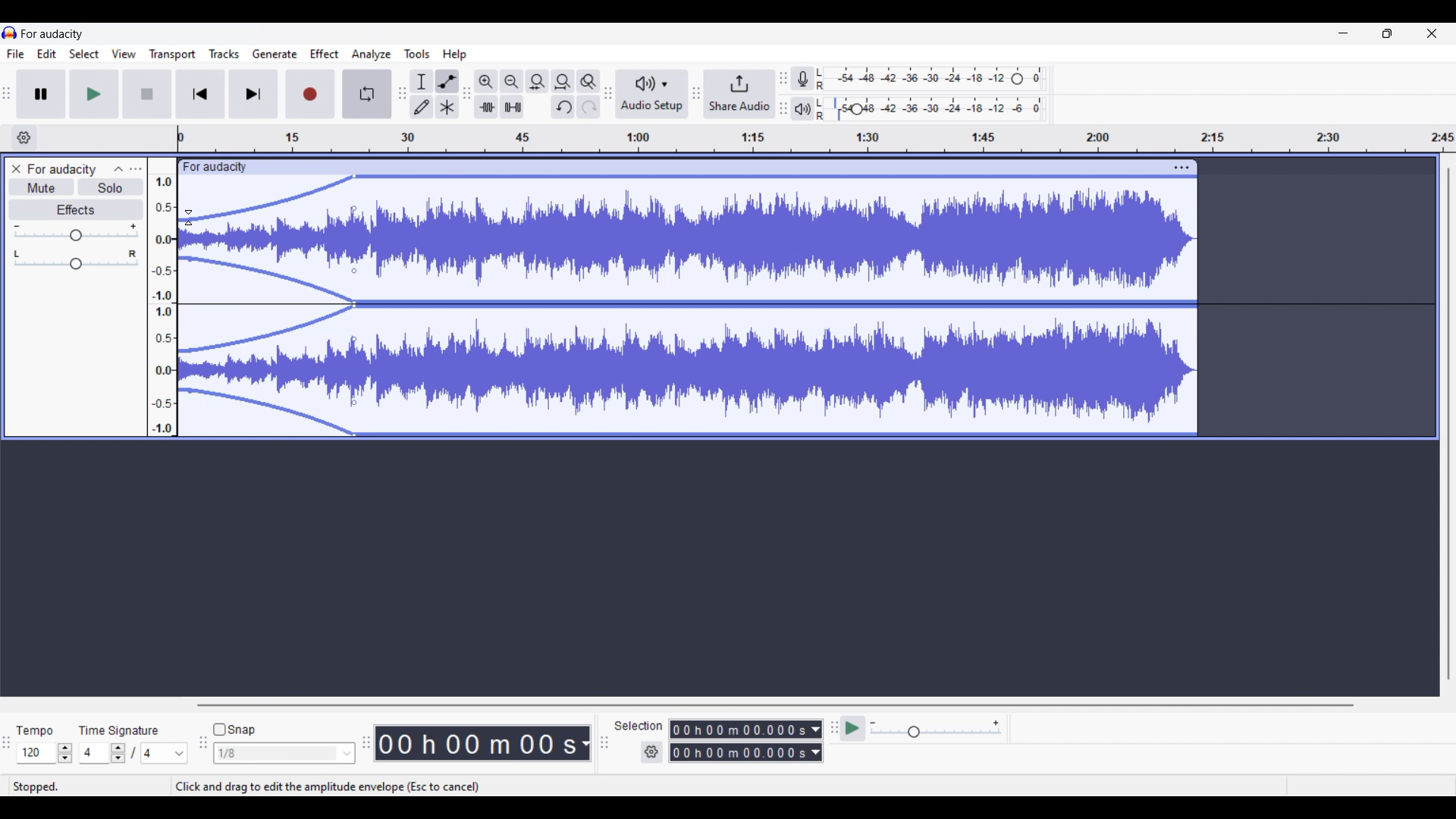  Describe the element at coordinates (284, 754) in the screenshot. I see `Snap options` at that location.